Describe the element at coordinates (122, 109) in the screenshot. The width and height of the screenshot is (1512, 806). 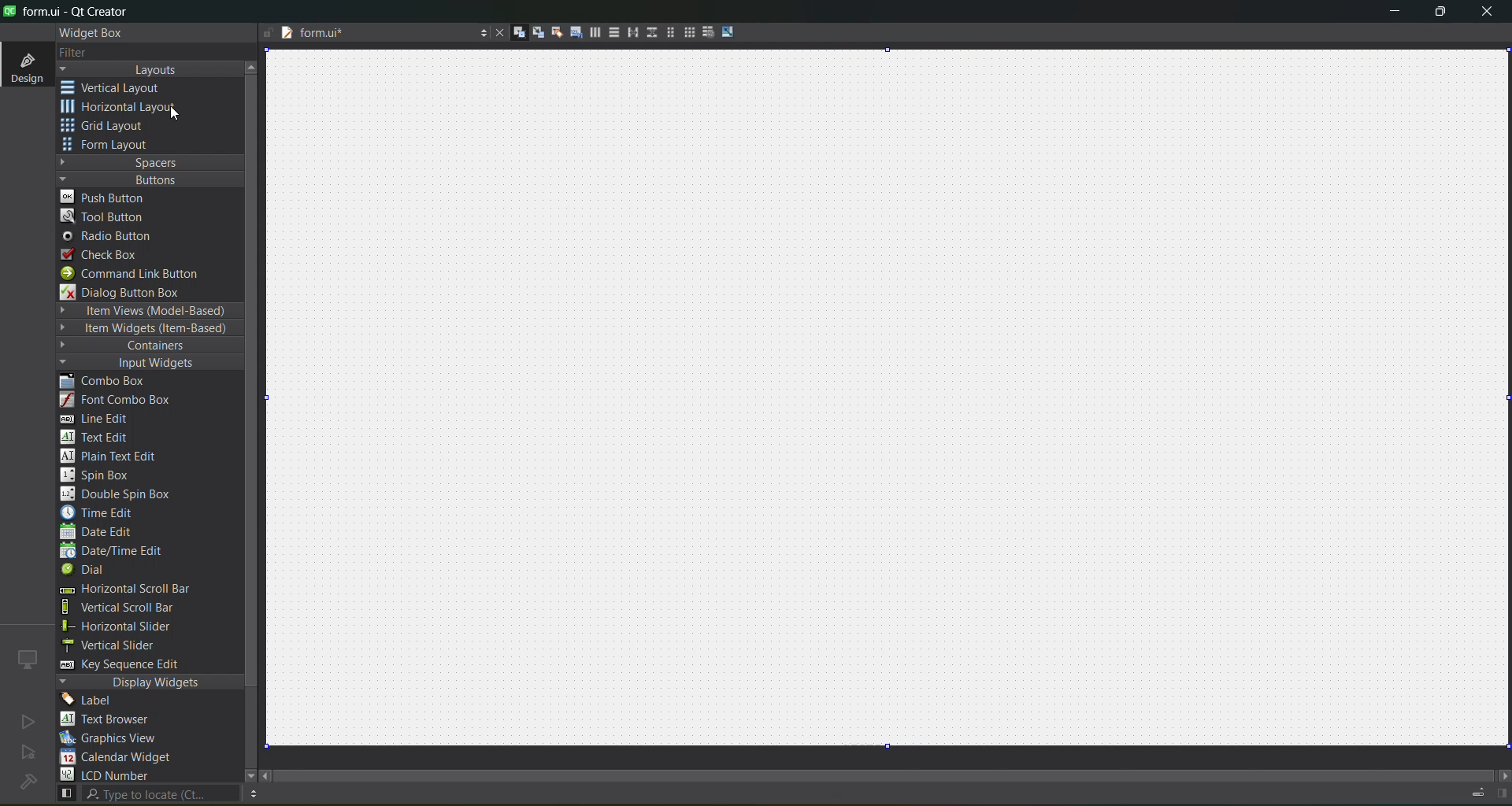
I see `horizontal` at that location.